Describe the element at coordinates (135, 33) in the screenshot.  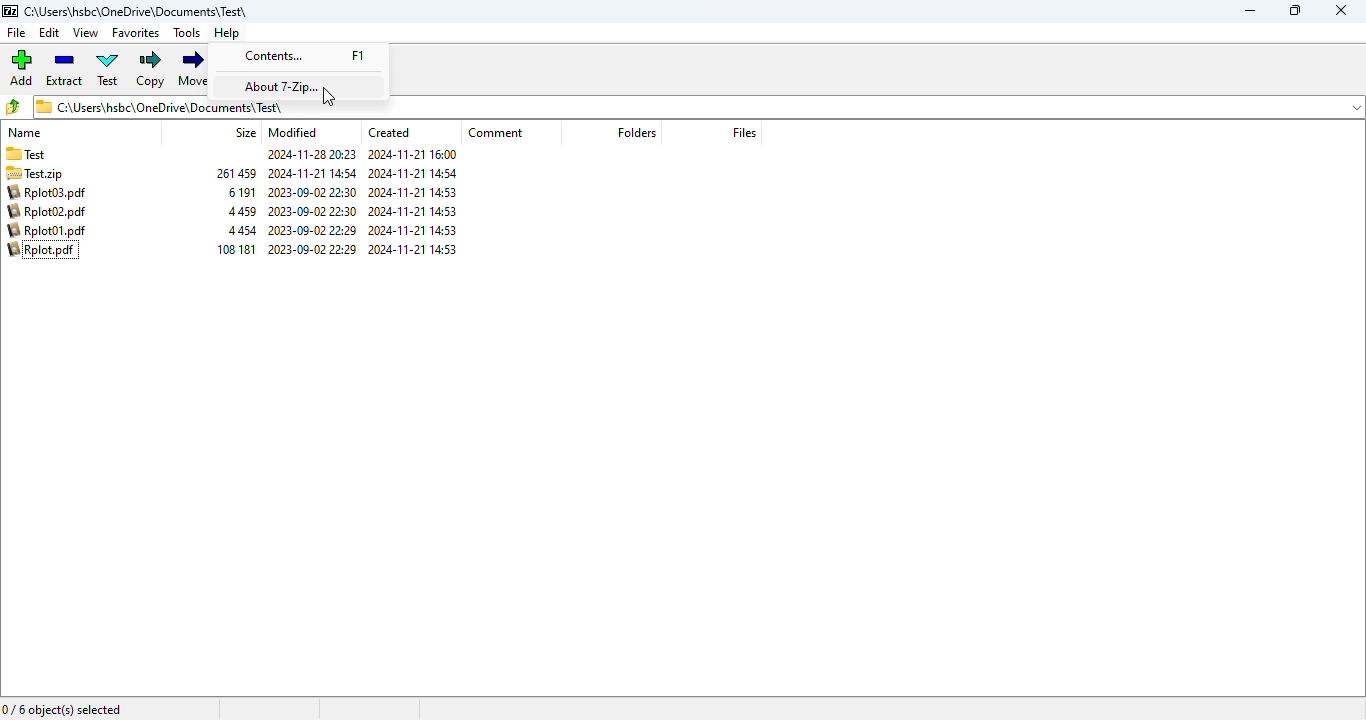
I see `favorites` at that location.